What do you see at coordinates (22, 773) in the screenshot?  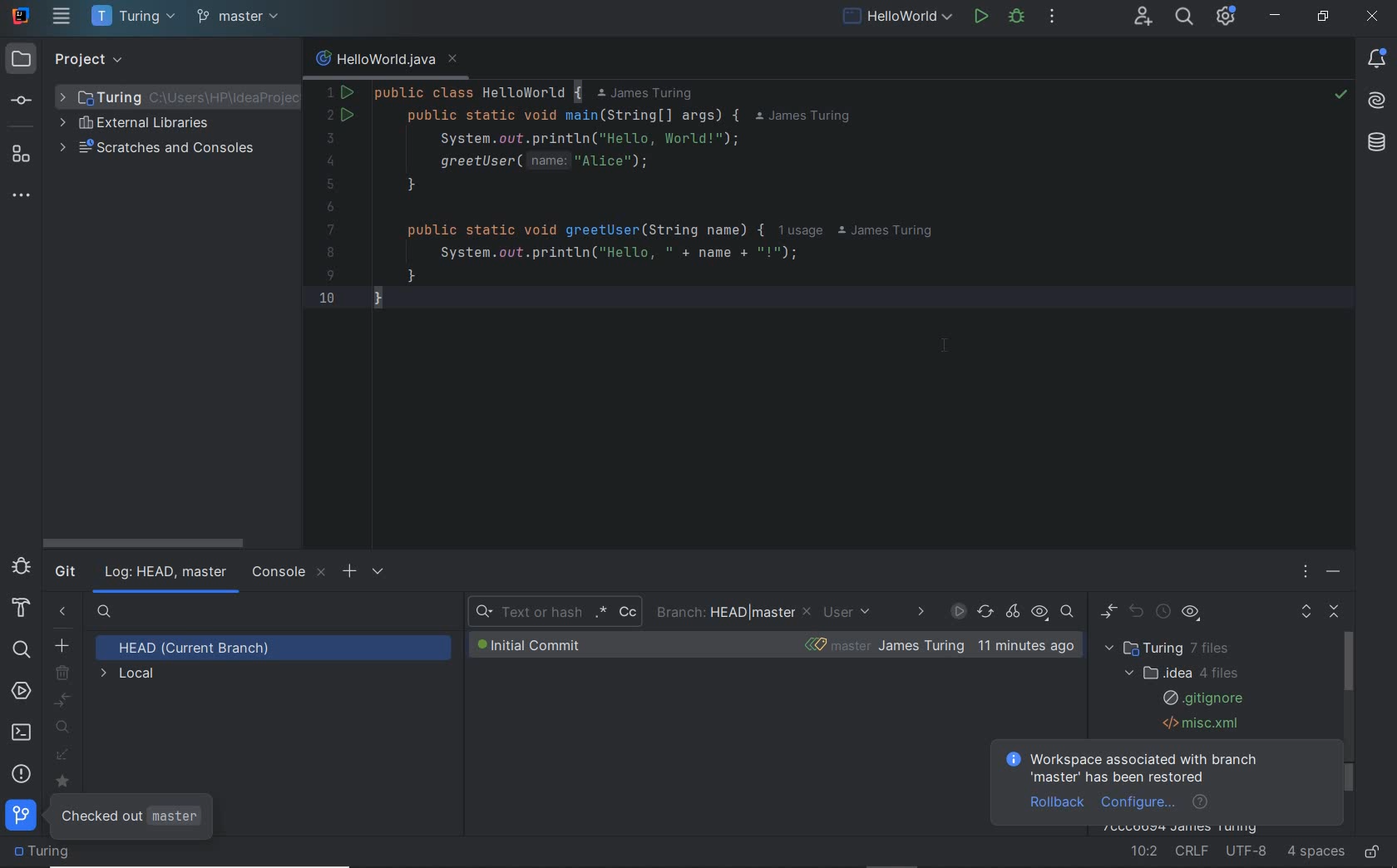 I see `problems` at bounding box center [22, 773].